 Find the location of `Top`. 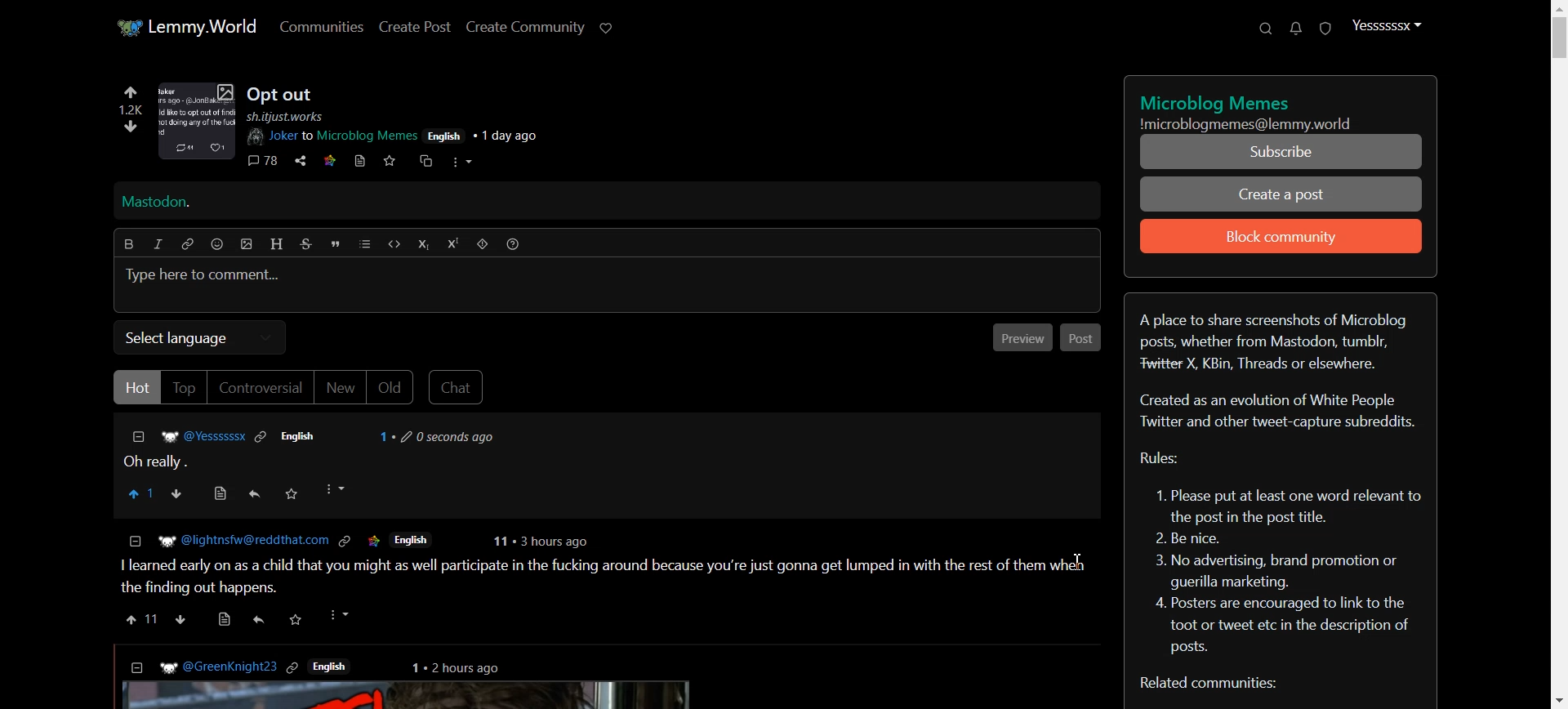

Top is located at coordinates (184, 388).